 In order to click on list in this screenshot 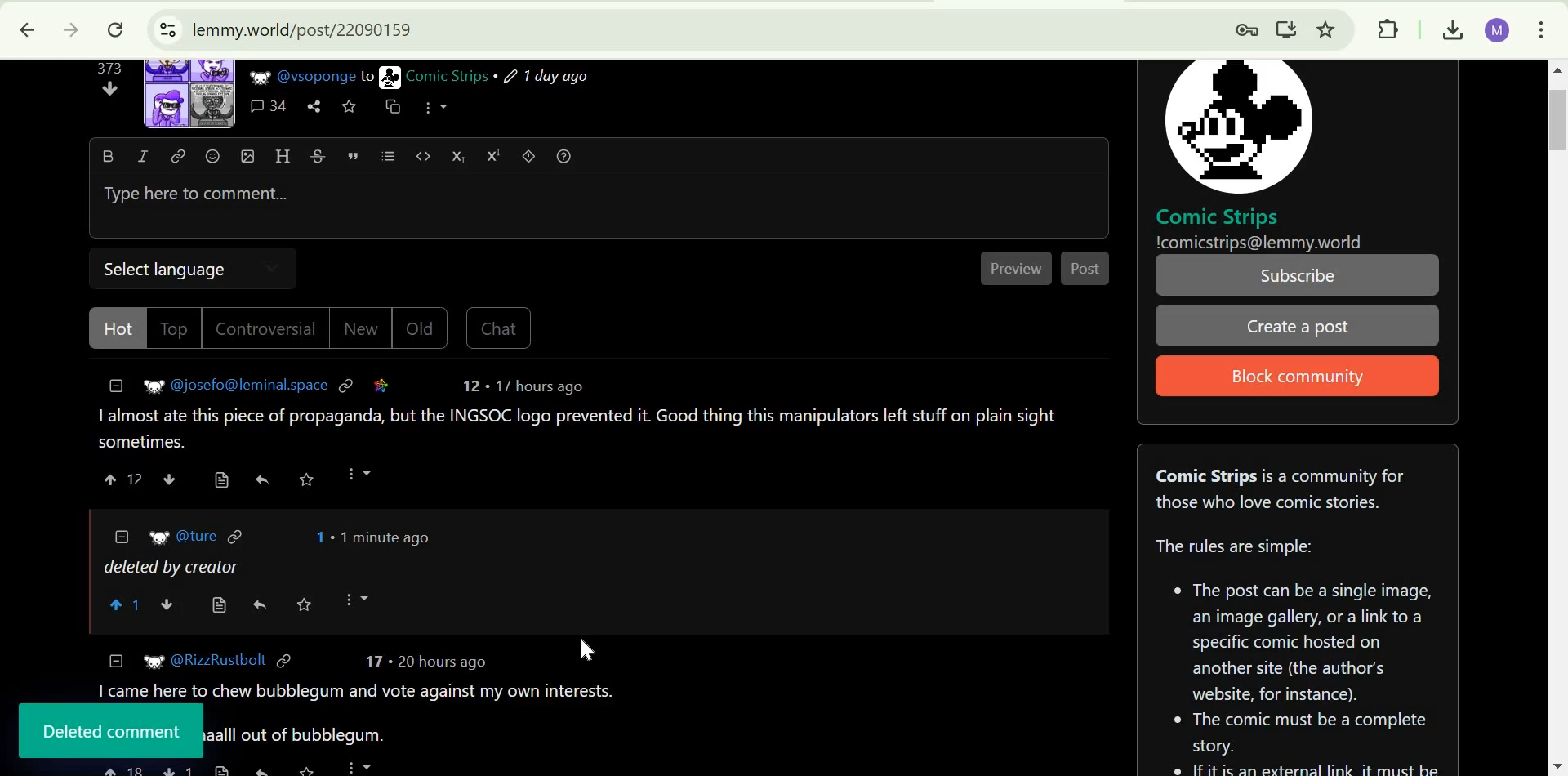, I will do `click(388, 156)`.